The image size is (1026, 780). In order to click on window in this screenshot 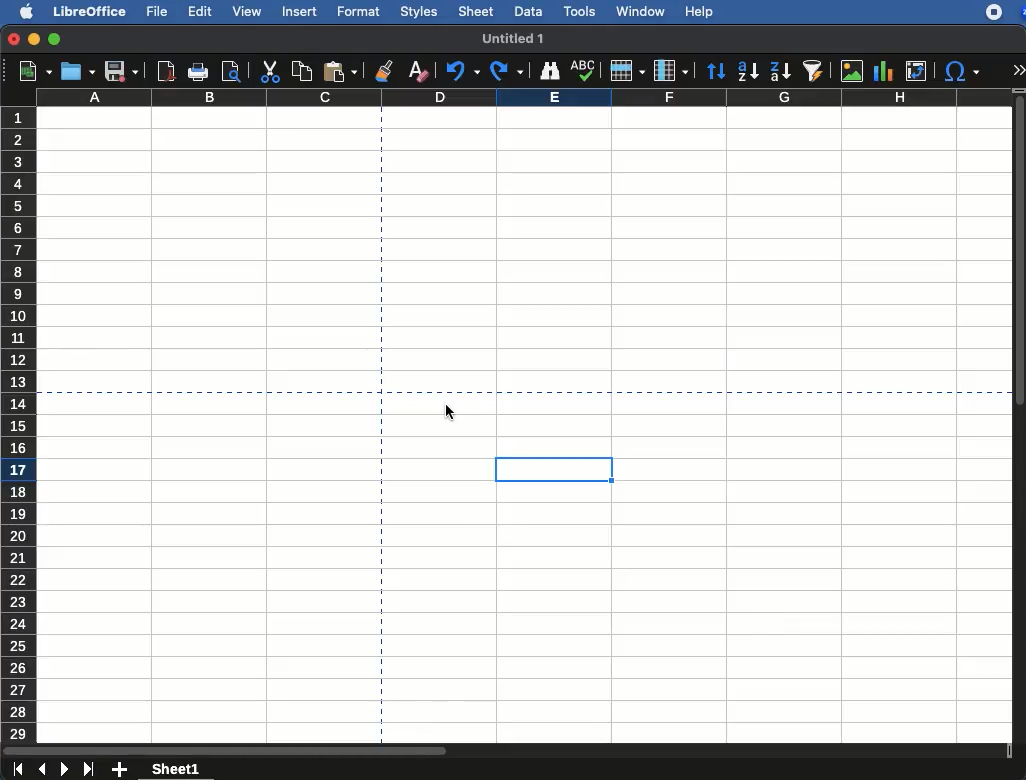, I will do `click(639, 13)`.